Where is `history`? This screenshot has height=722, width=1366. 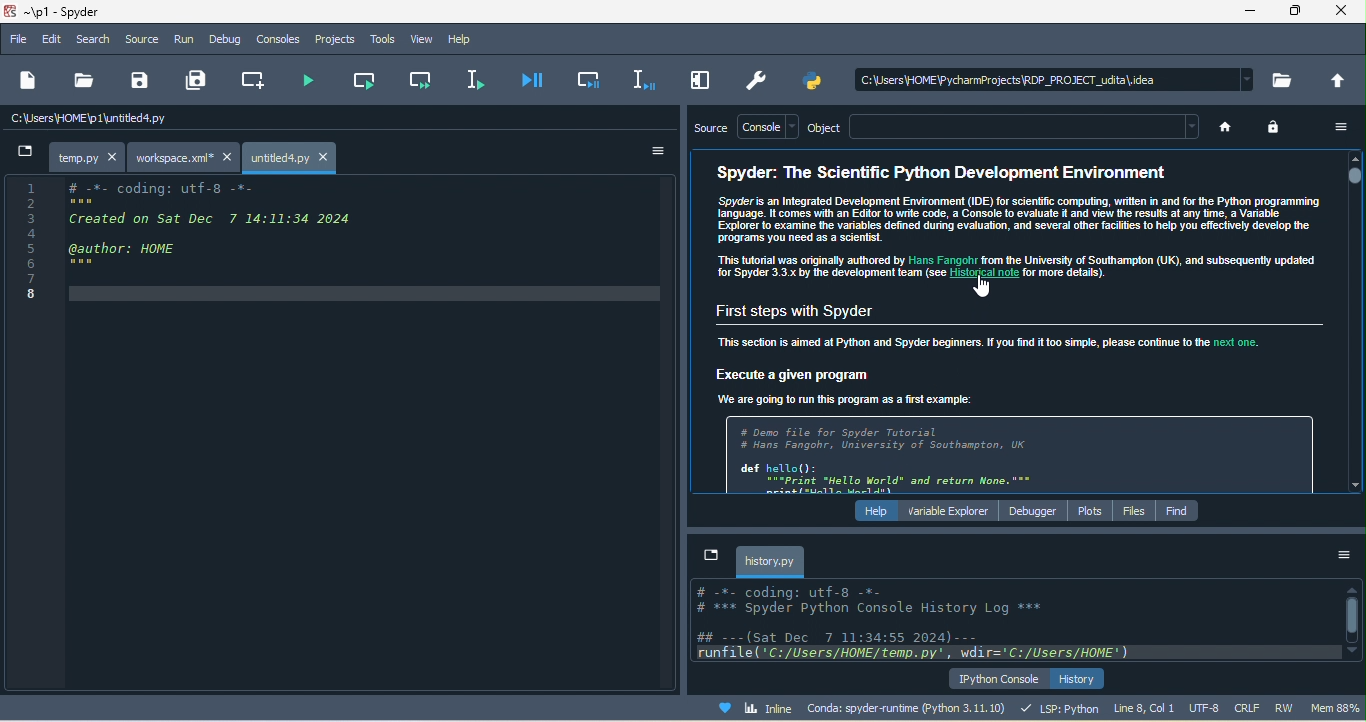
history is located at coordinates (1079, 679).